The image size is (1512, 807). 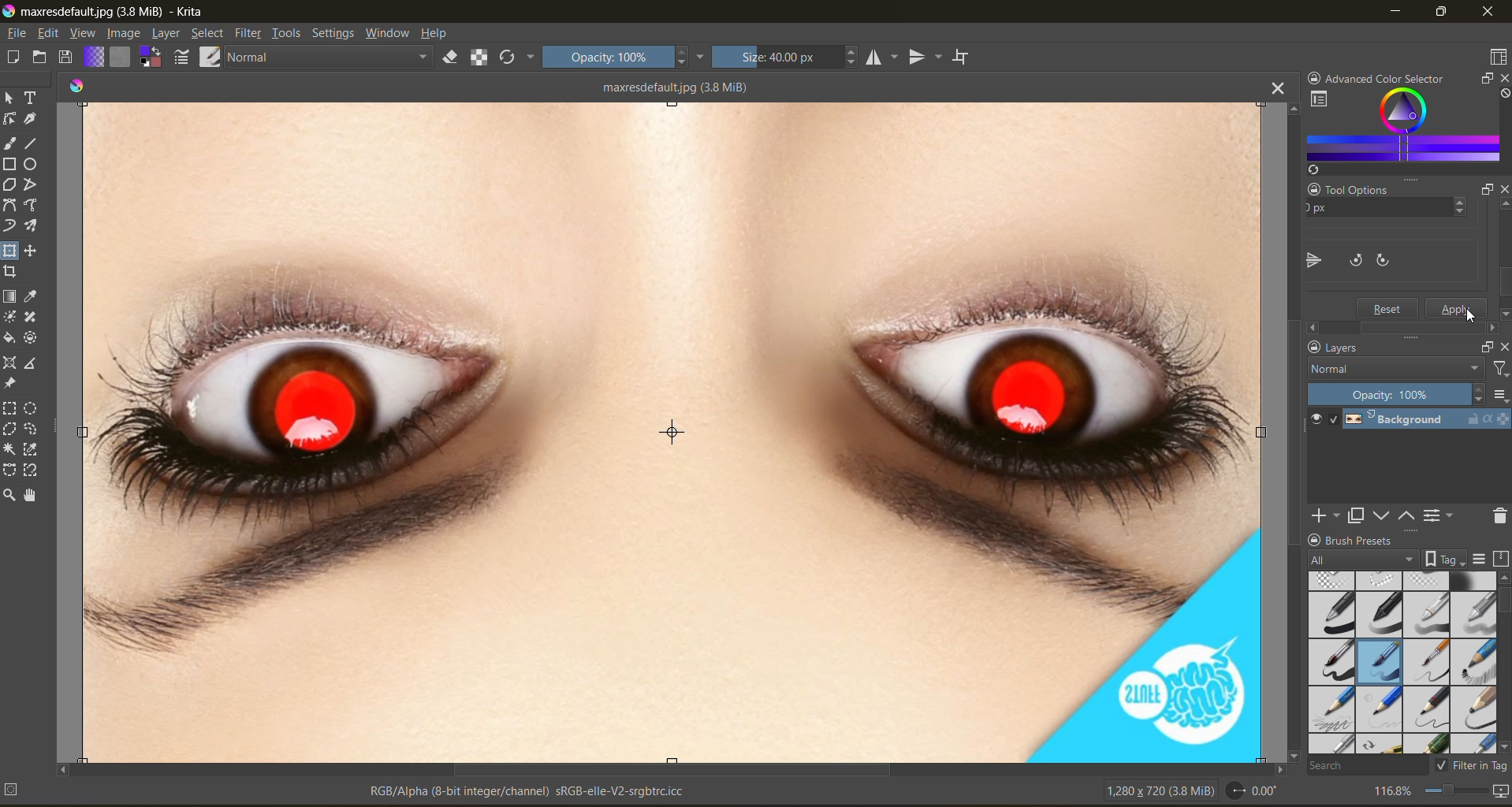 What do you see at coordinates (209, 33) in the screenshot?
I see `select` at bounding box center [209, 33].